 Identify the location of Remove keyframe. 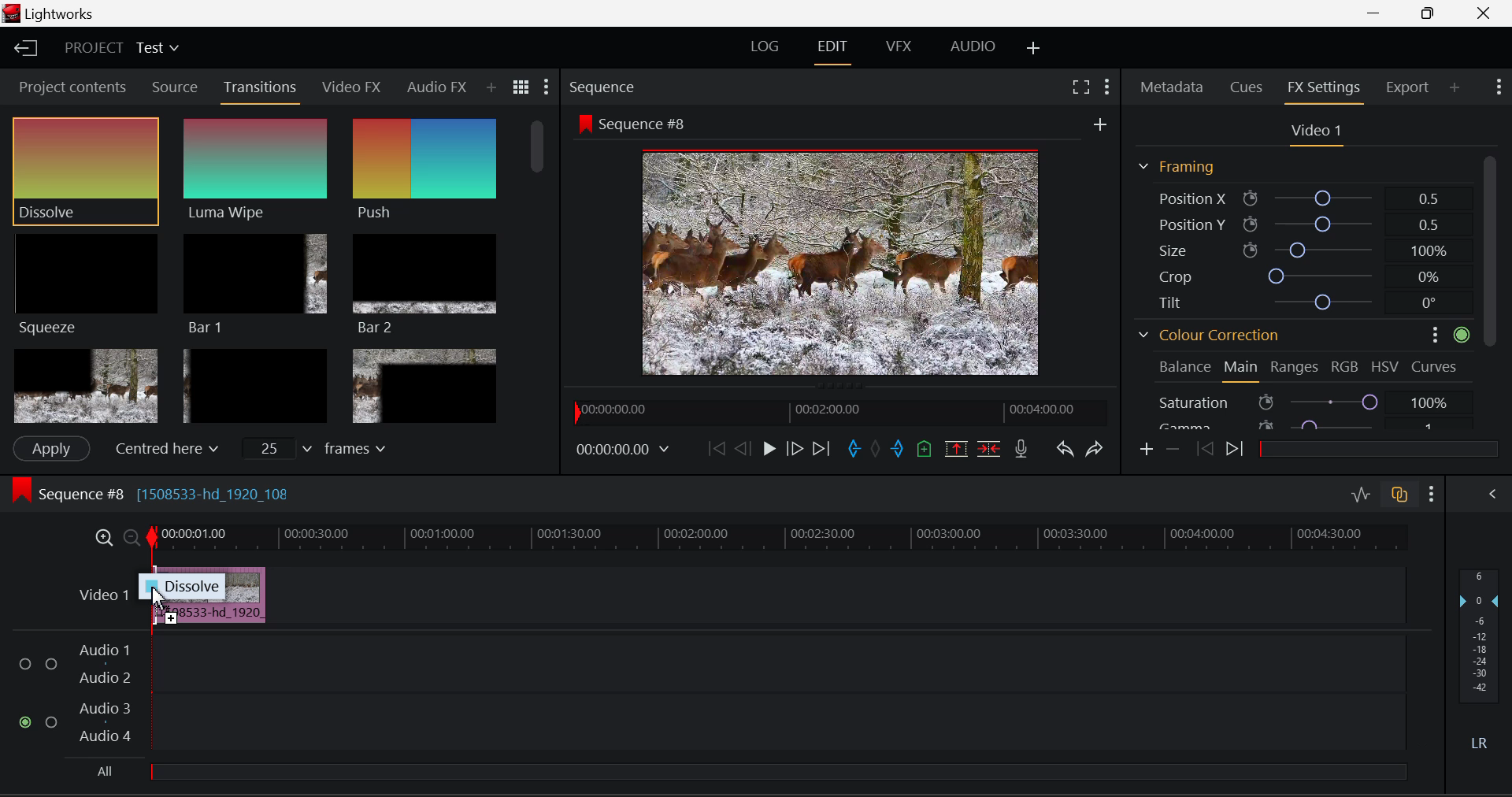
(1171, 451).